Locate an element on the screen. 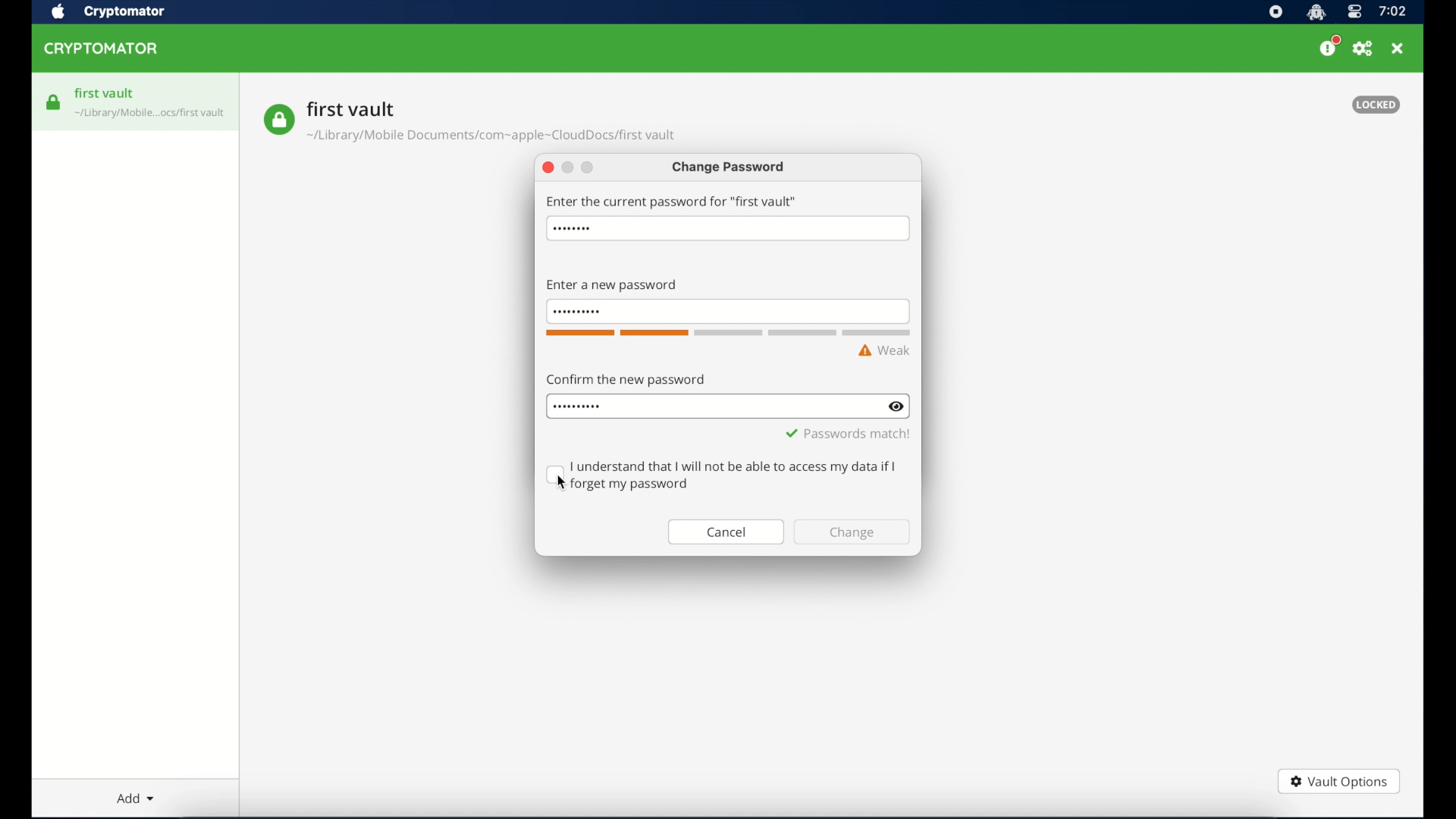 Image resolution: width=1456 pixels, height=819 pixels. add dropdown is located at coordinates (136, 798).